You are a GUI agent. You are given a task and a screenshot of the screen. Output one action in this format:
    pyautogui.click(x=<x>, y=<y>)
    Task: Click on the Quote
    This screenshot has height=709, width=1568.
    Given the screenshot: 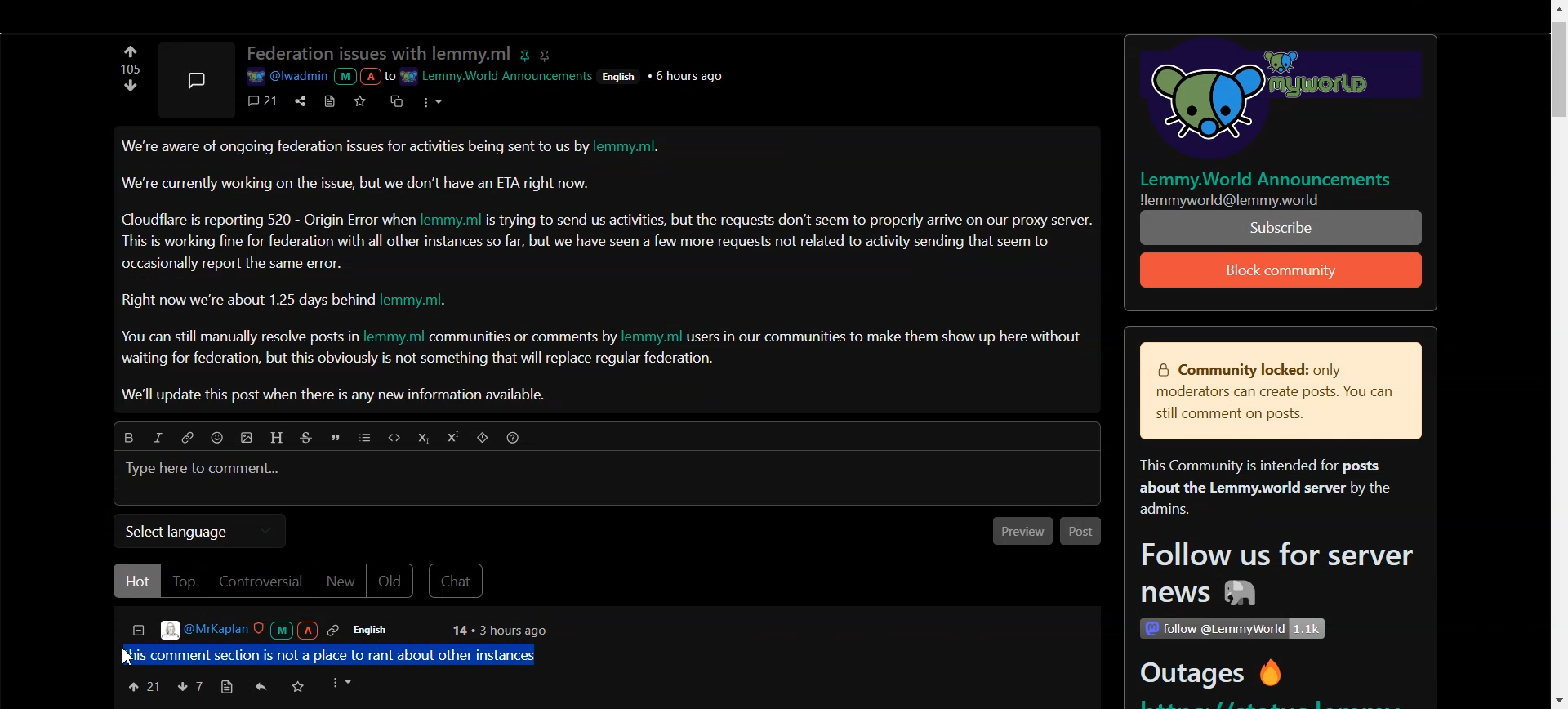 What is the action you would take?
    pyautogui.click(x=338, y=439)
    